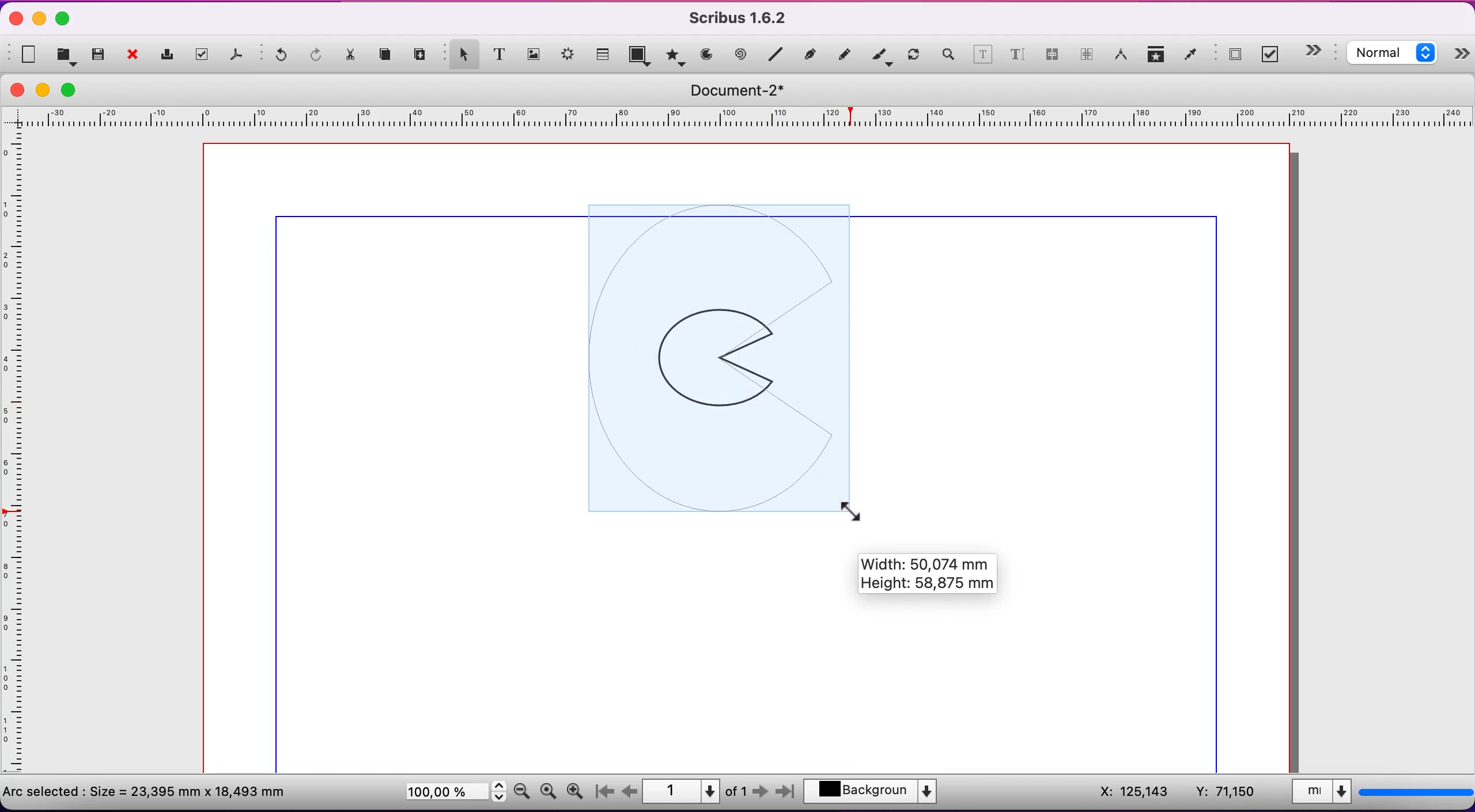 The image size is (1475, 812). Describe the element at coordinates (388, 56) in the screenshot. I see `copy` at that location.